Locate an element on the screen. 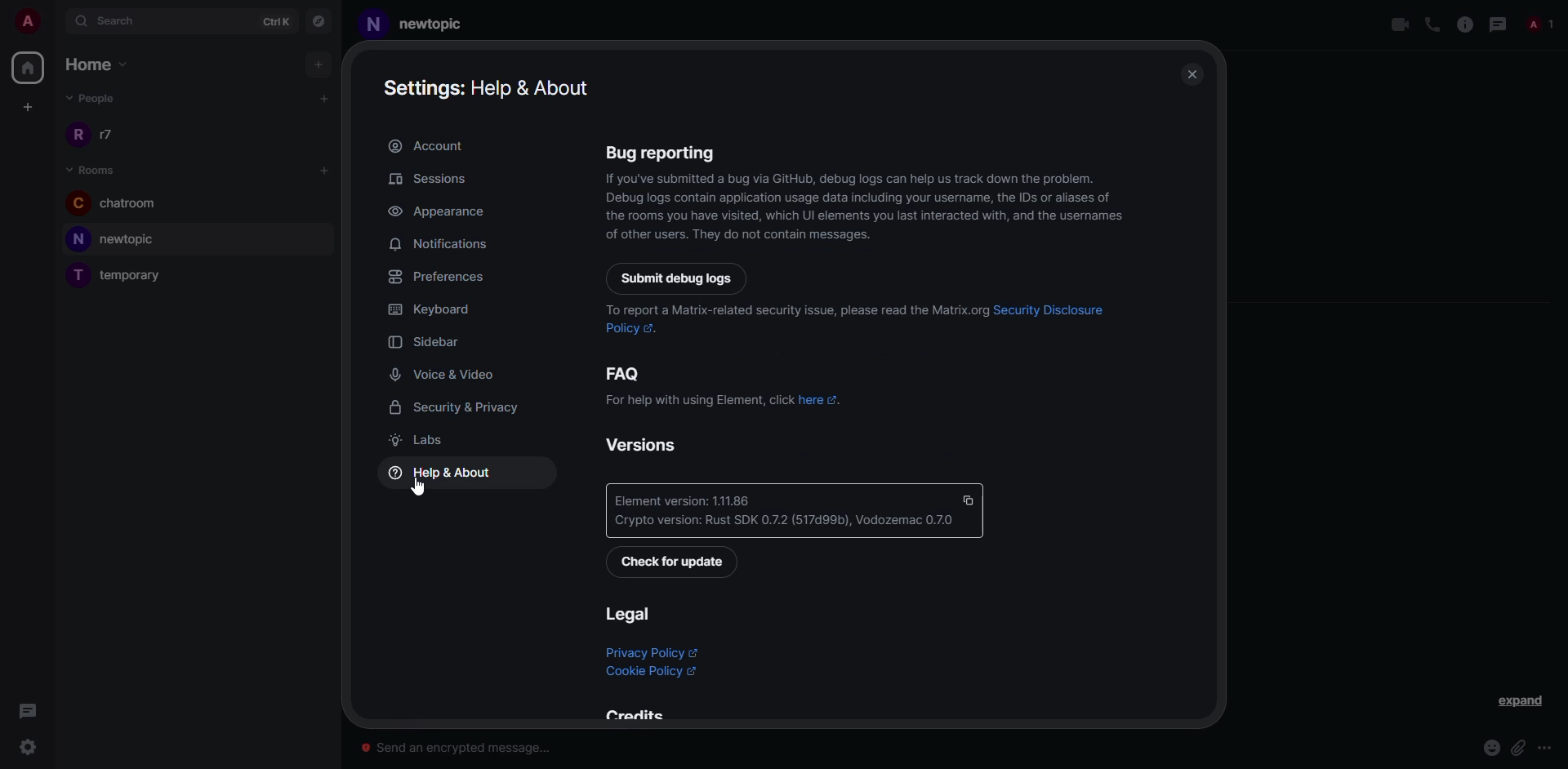  bug reporting is located at coordinates (666, 153).